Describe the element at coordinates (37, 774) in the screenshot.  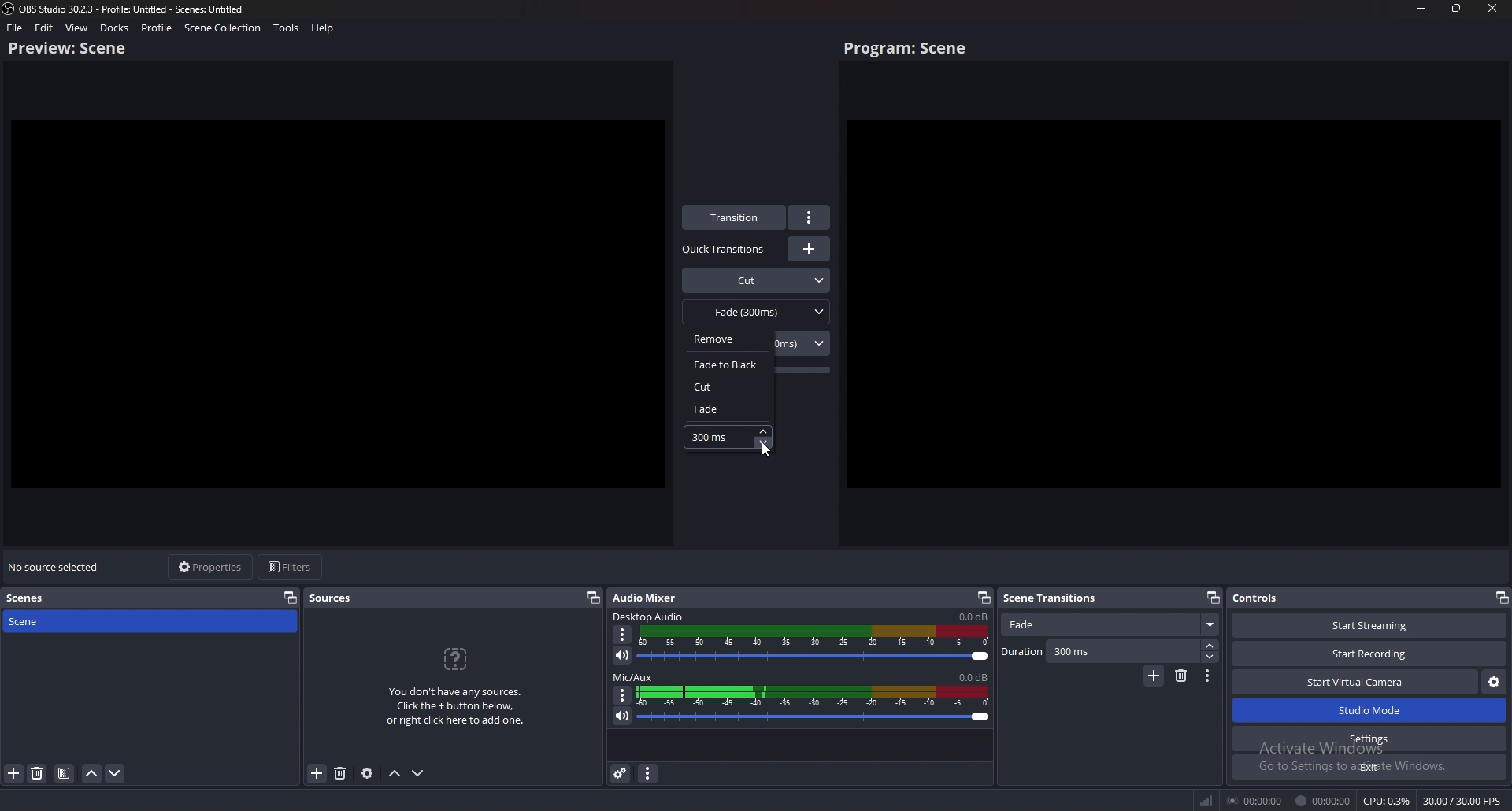
I see `delete source` at that location.